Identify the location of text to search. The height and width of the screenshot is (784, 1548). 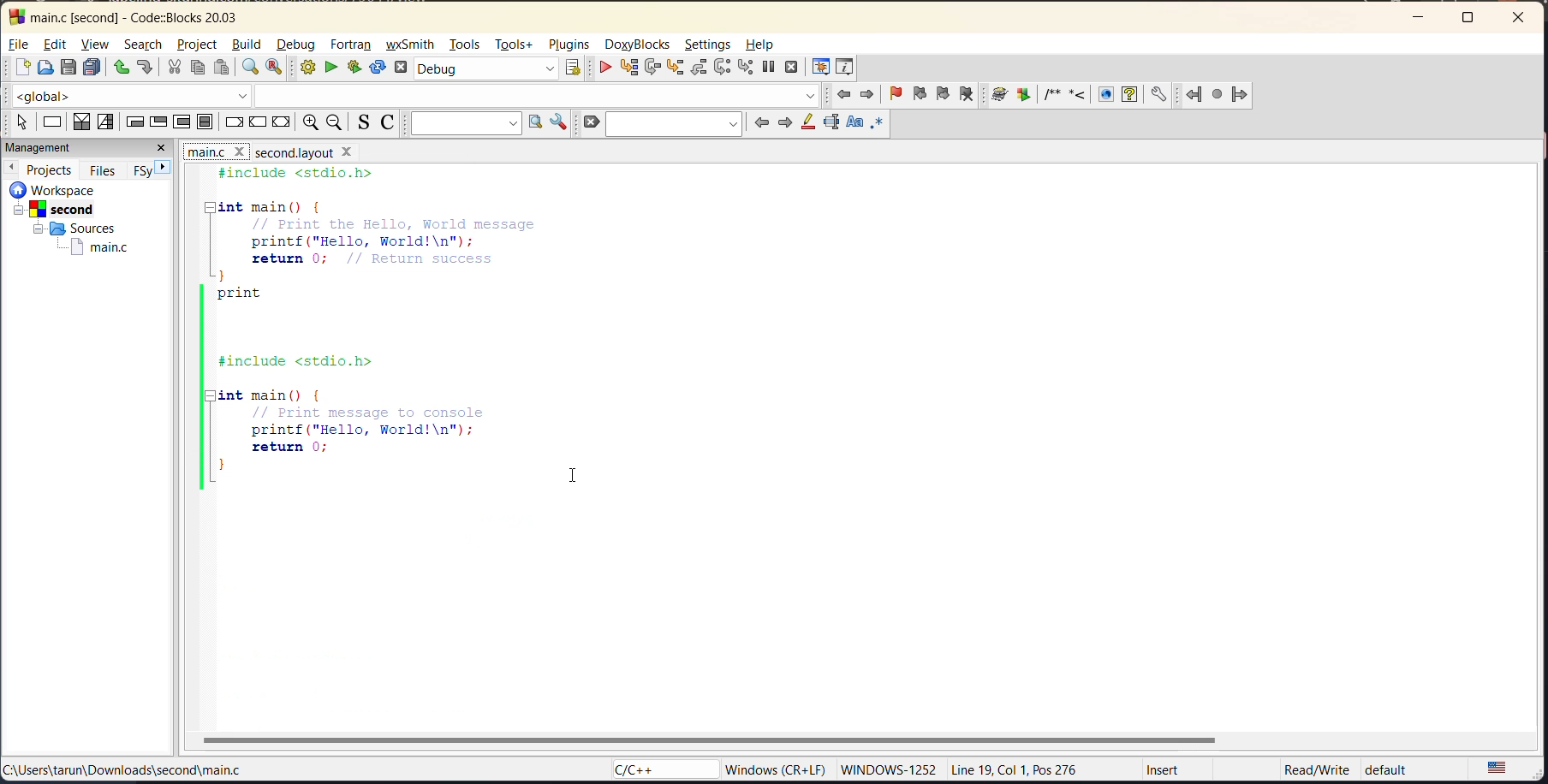
(466, 124).